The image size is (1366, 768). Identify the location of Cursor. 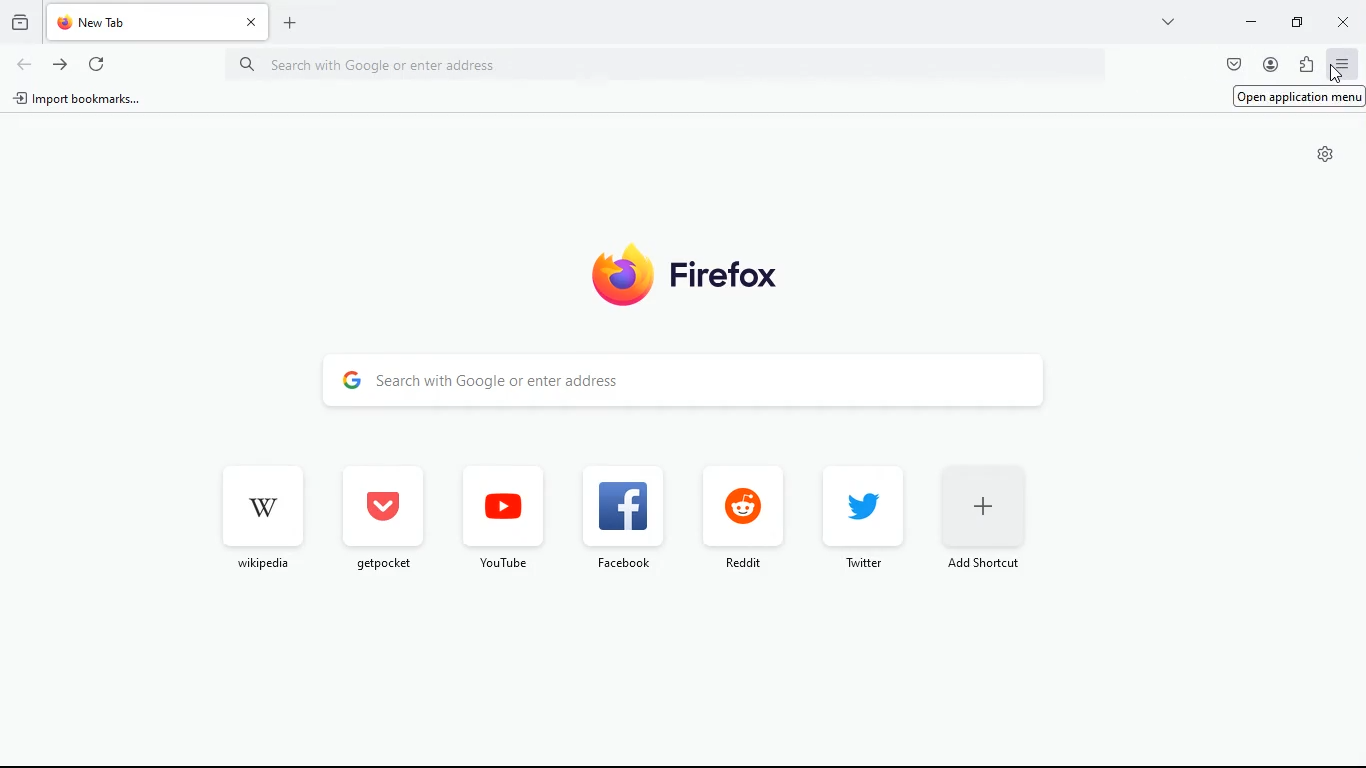
(1337, 75).